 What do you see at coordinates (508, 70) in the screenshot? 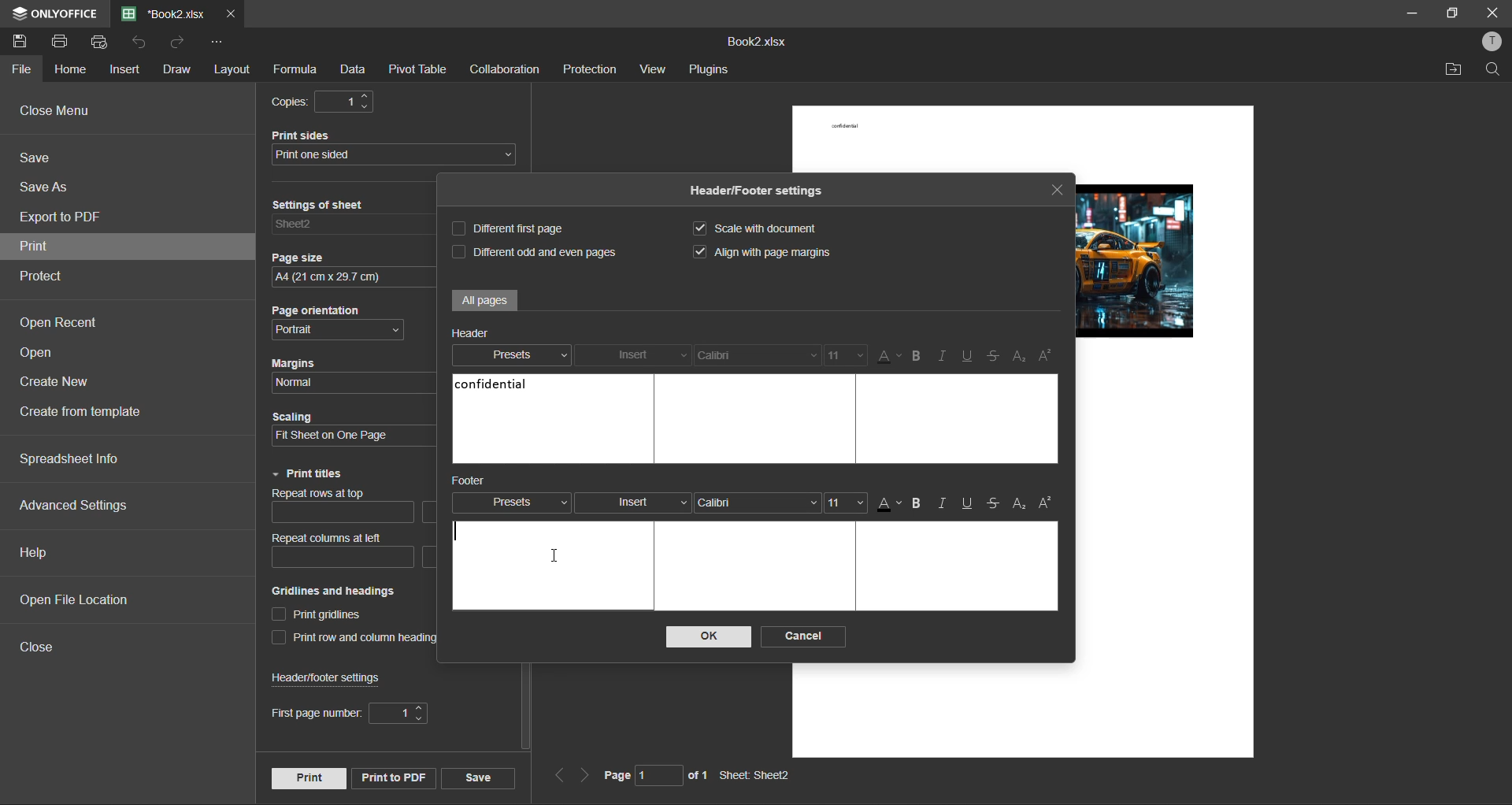
I see `collaboration` at bounding box center [508, 70].